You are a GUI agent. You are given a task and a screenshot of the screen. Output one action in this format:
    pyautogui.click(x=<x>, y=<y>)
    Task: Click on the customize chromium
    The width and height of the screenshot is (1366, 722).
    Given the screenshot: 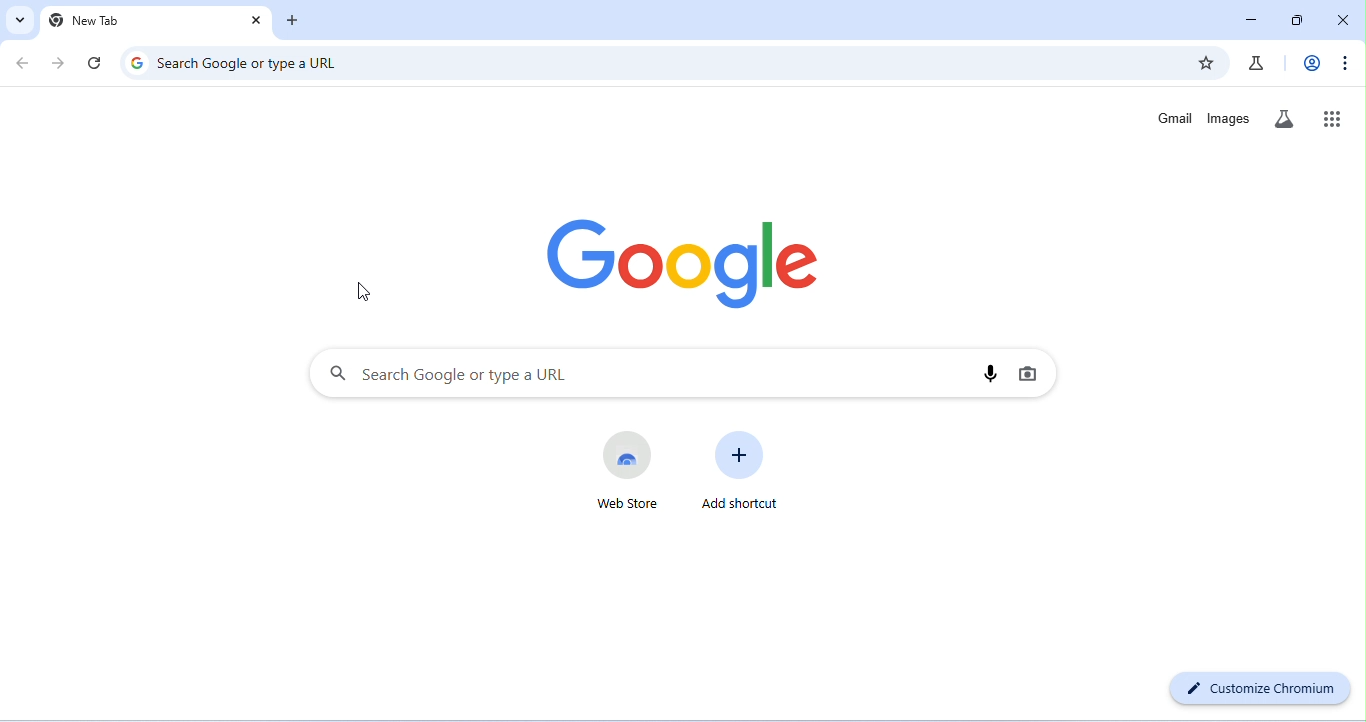 What is the action you would take?
    pyautogui.click(x=1260, y=689)
    